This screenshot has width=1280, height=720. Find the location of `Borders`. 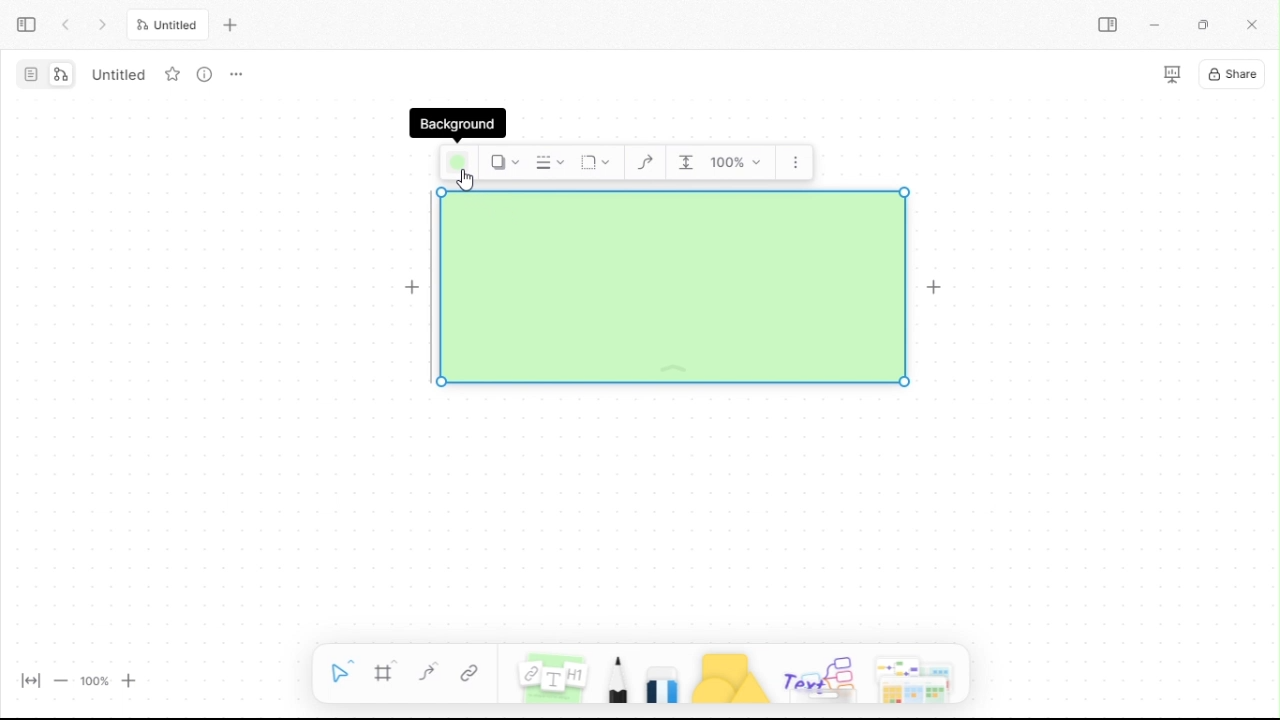

Borders is located at coordinates (673, 287).